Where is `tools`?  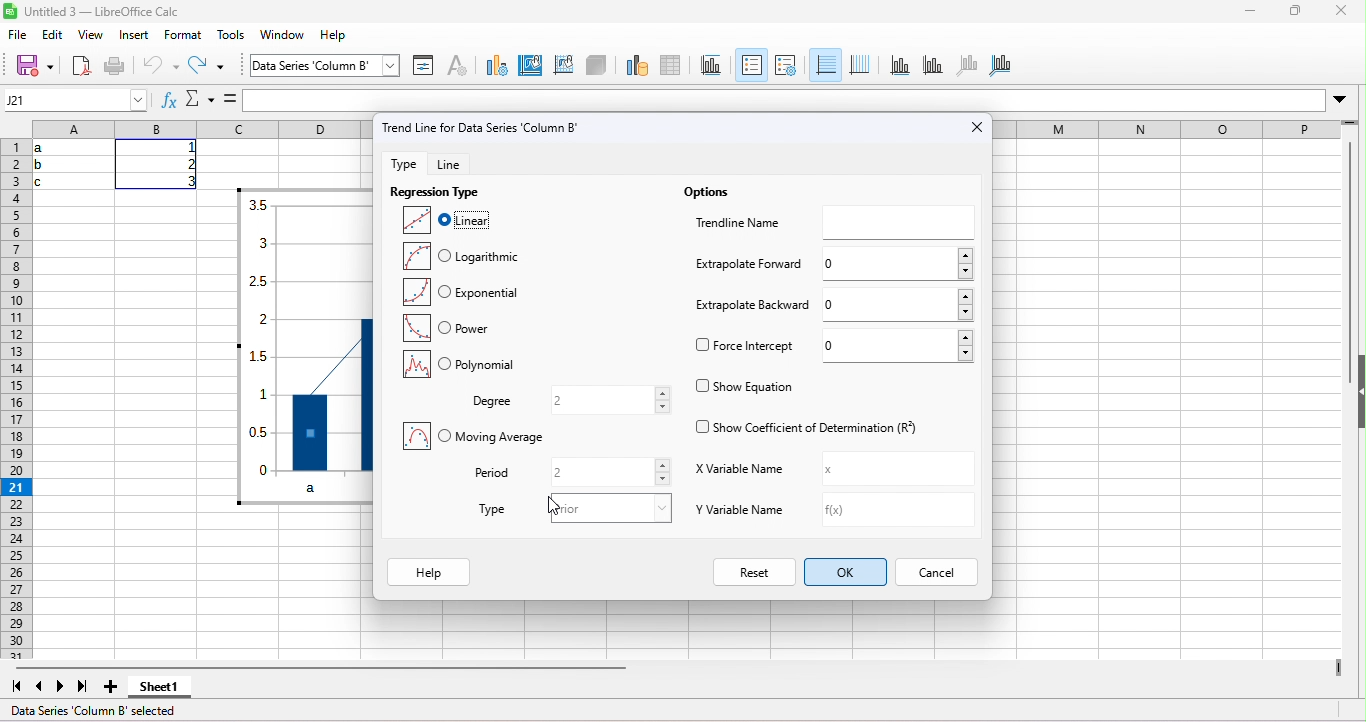
tools is located at coordinates (232, 38).